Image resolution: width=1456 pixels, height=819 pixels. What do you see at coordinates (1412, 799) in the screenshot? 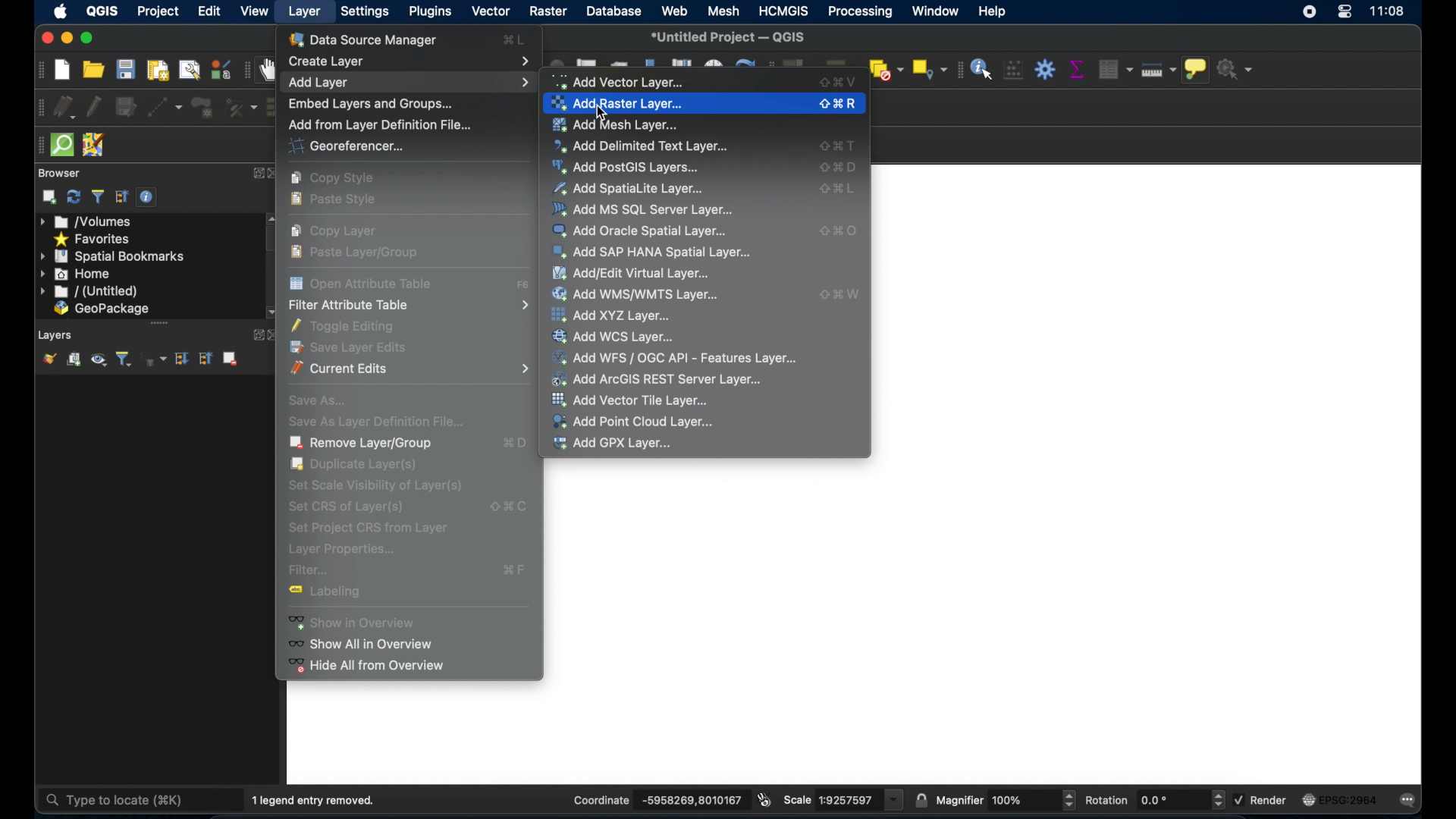
I see `messages` at bounding box center [1412, 799].